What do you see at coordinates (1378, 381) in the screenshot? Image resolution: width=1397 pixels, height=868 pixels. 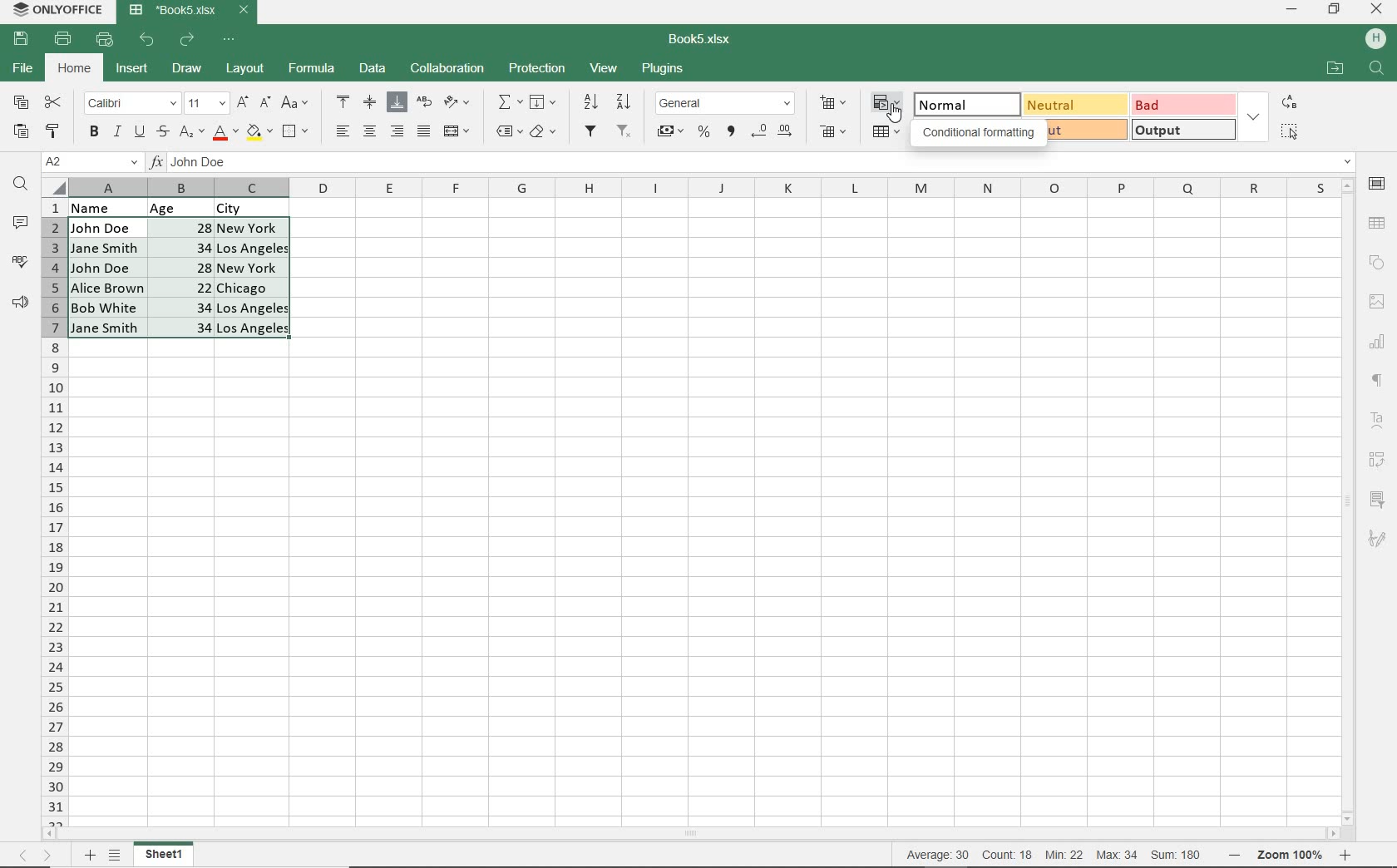 I see `PARAGRAPH SETTINGS` at bounding box center [1378, 381].